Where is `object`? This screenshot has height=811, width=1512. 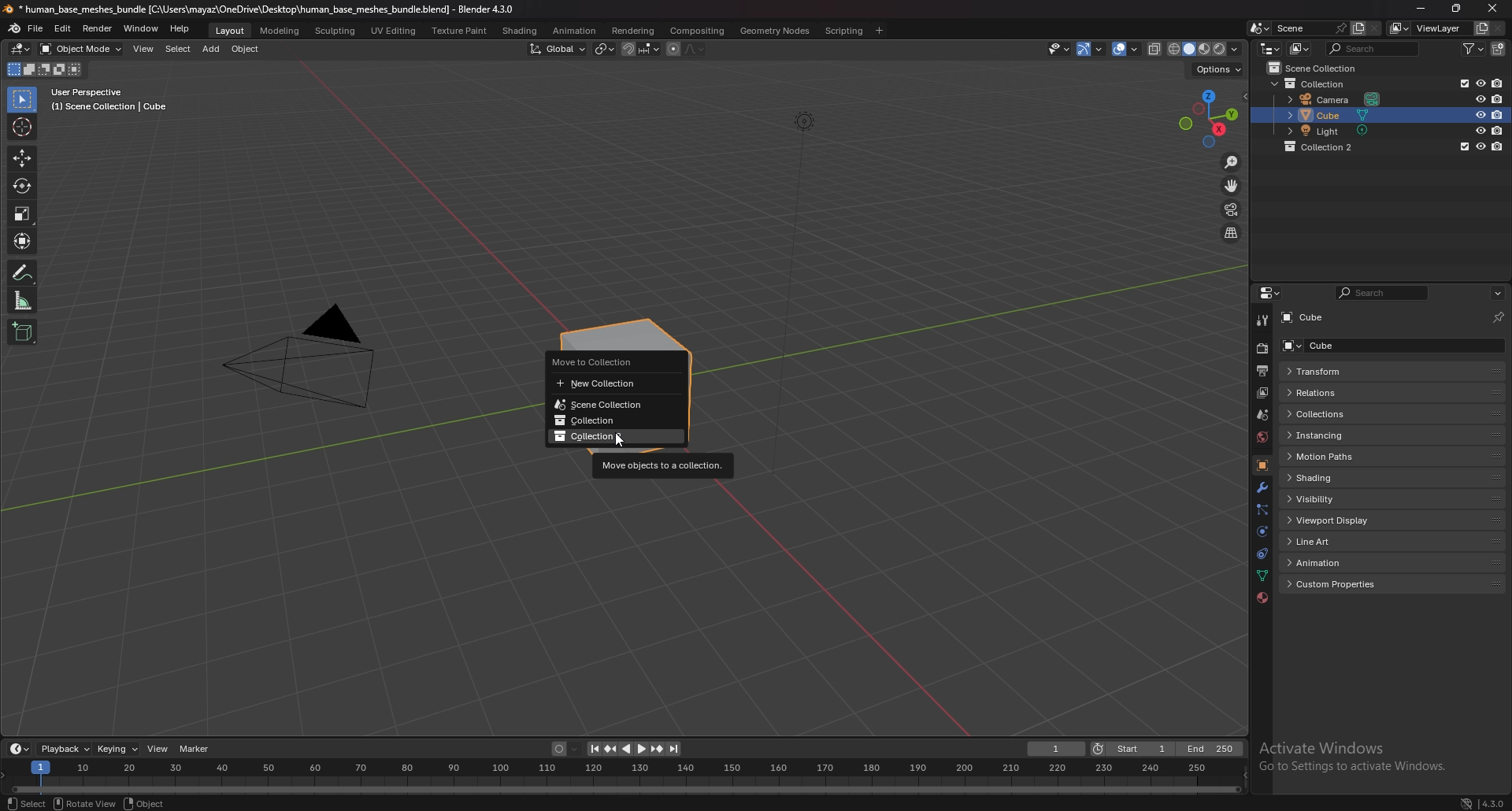
object is located at coordinates (1262, 466).